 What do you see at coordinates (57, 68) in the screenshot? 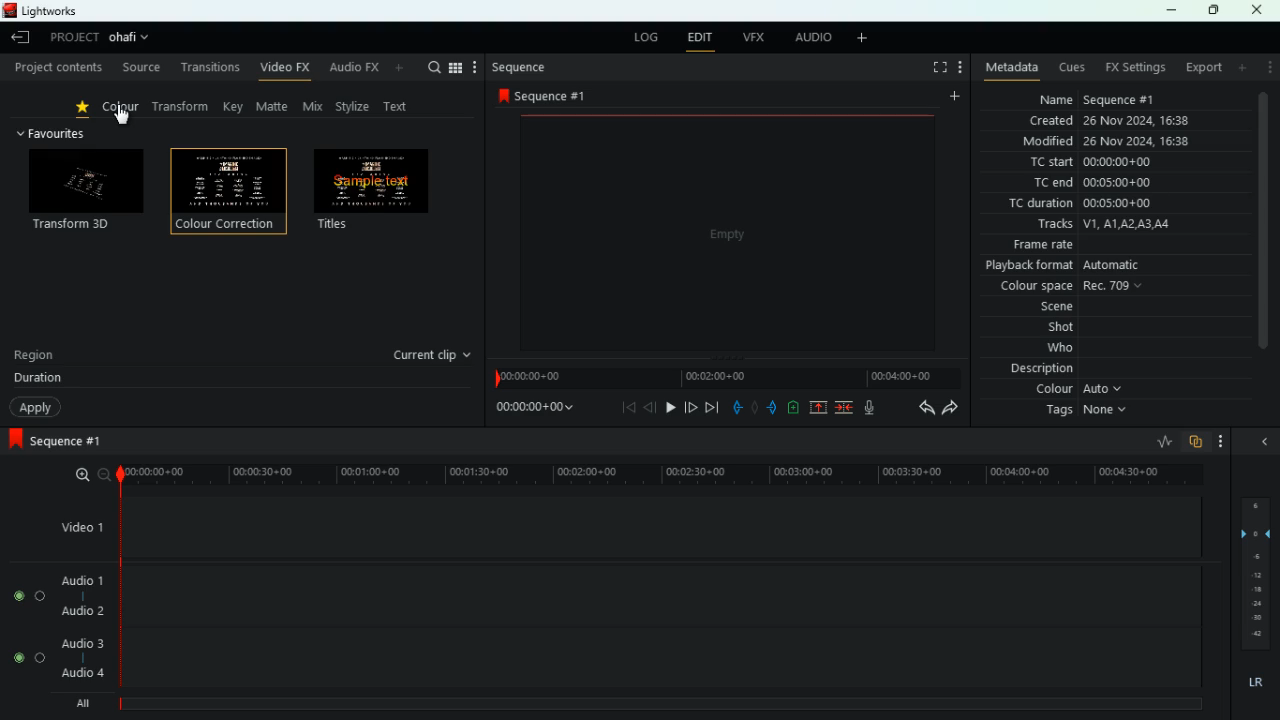
I see `project contents` at bounding box center [57, 68].